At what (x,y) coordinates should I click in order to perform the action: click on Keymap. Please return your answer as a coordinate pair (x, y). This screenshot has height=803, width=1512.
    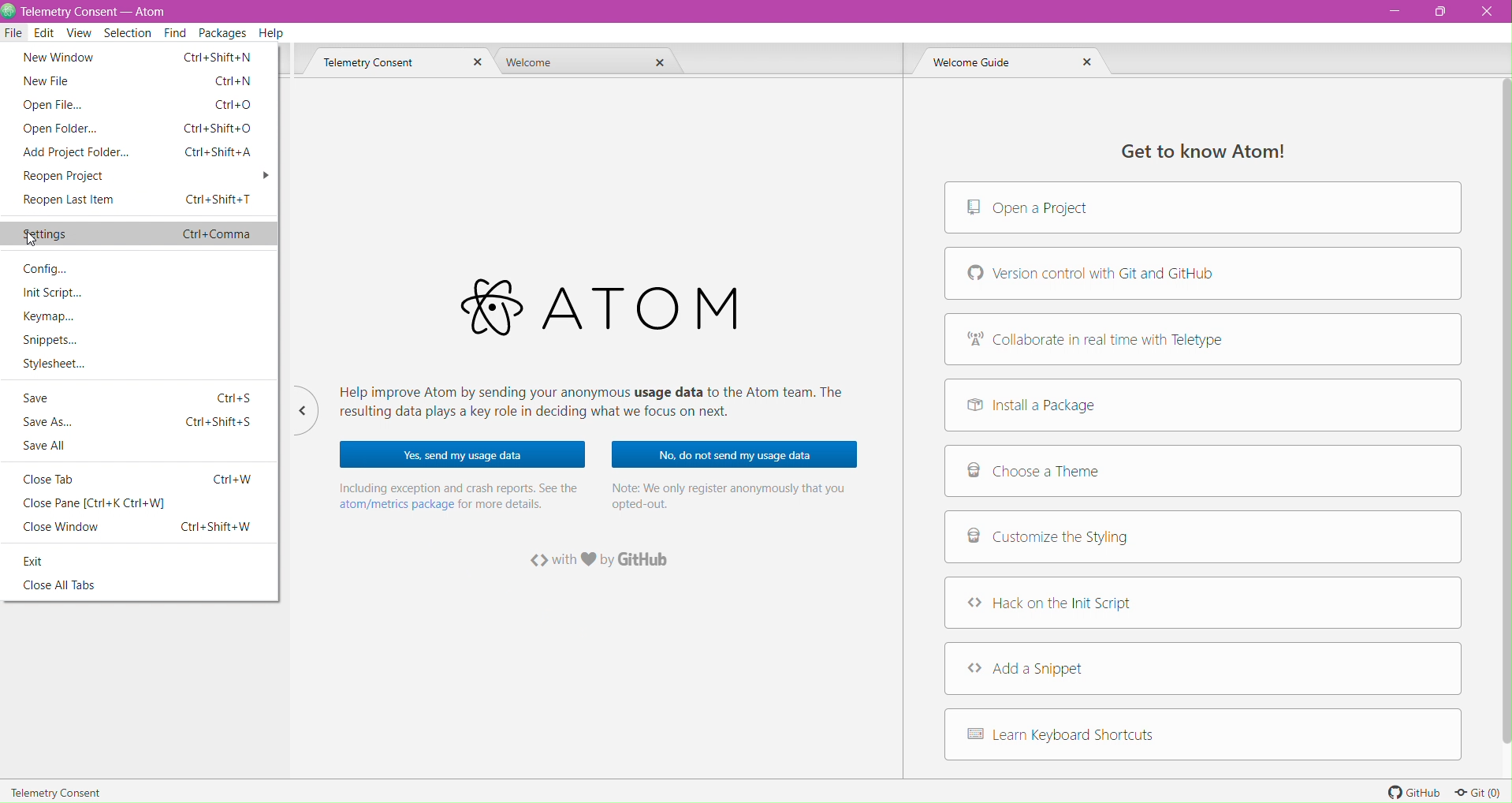
    Looking at the image, I should click on (65, 319).